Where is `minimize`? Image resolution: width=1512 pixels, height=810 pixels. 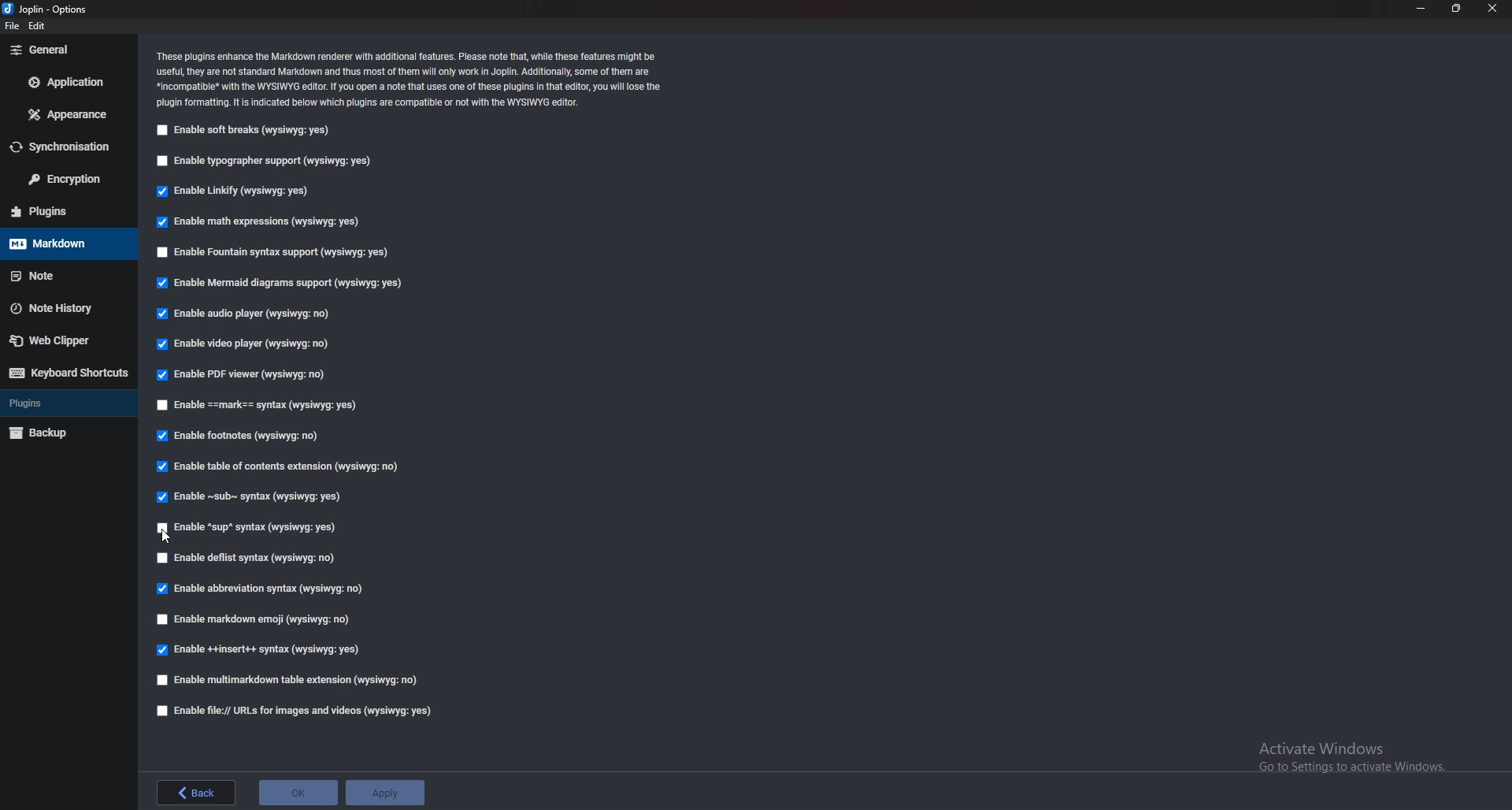 minimize is located at coordinates (1421, 7).